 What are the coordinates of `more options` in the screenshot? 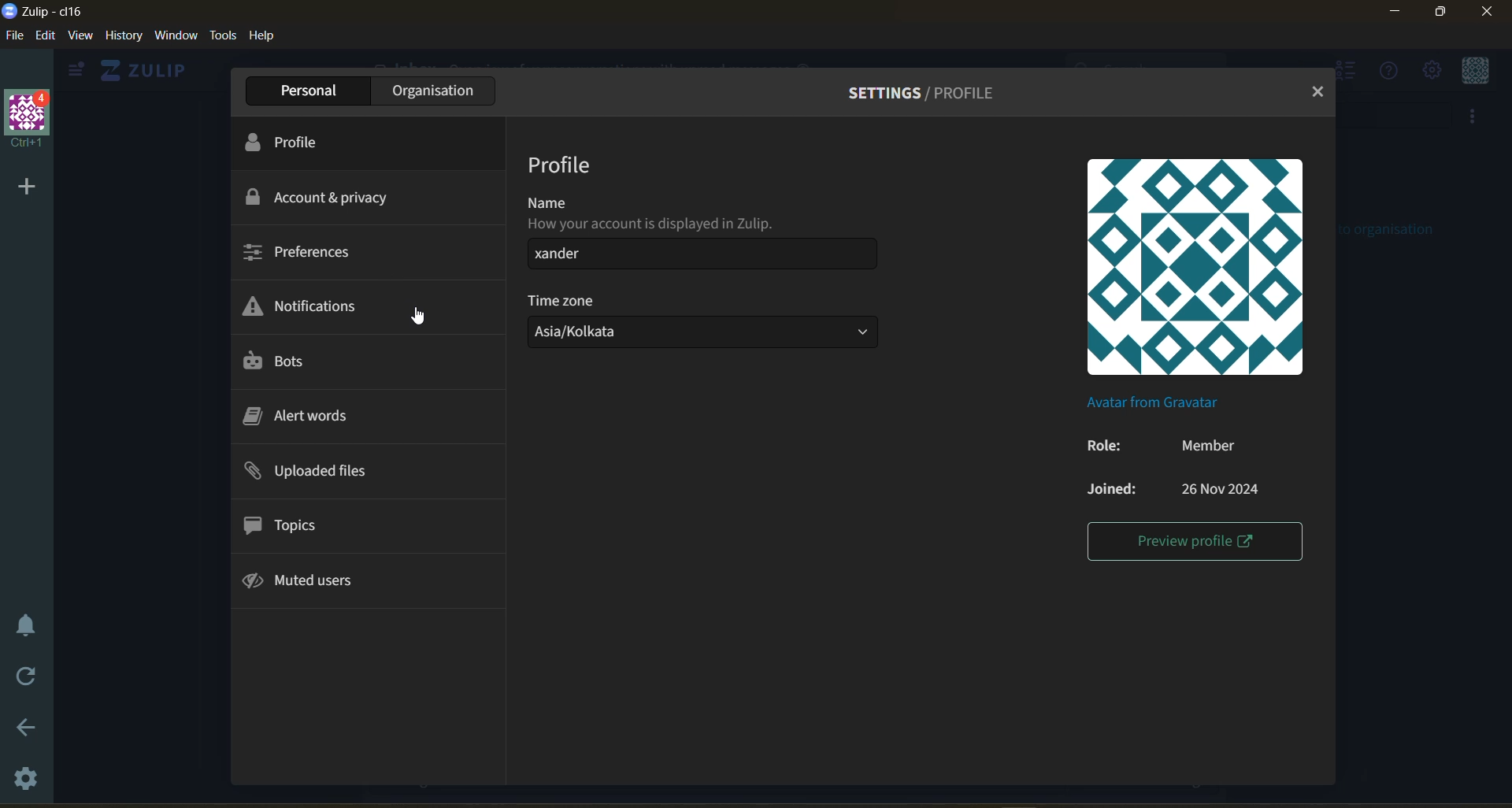 It's located at (1477, 119).